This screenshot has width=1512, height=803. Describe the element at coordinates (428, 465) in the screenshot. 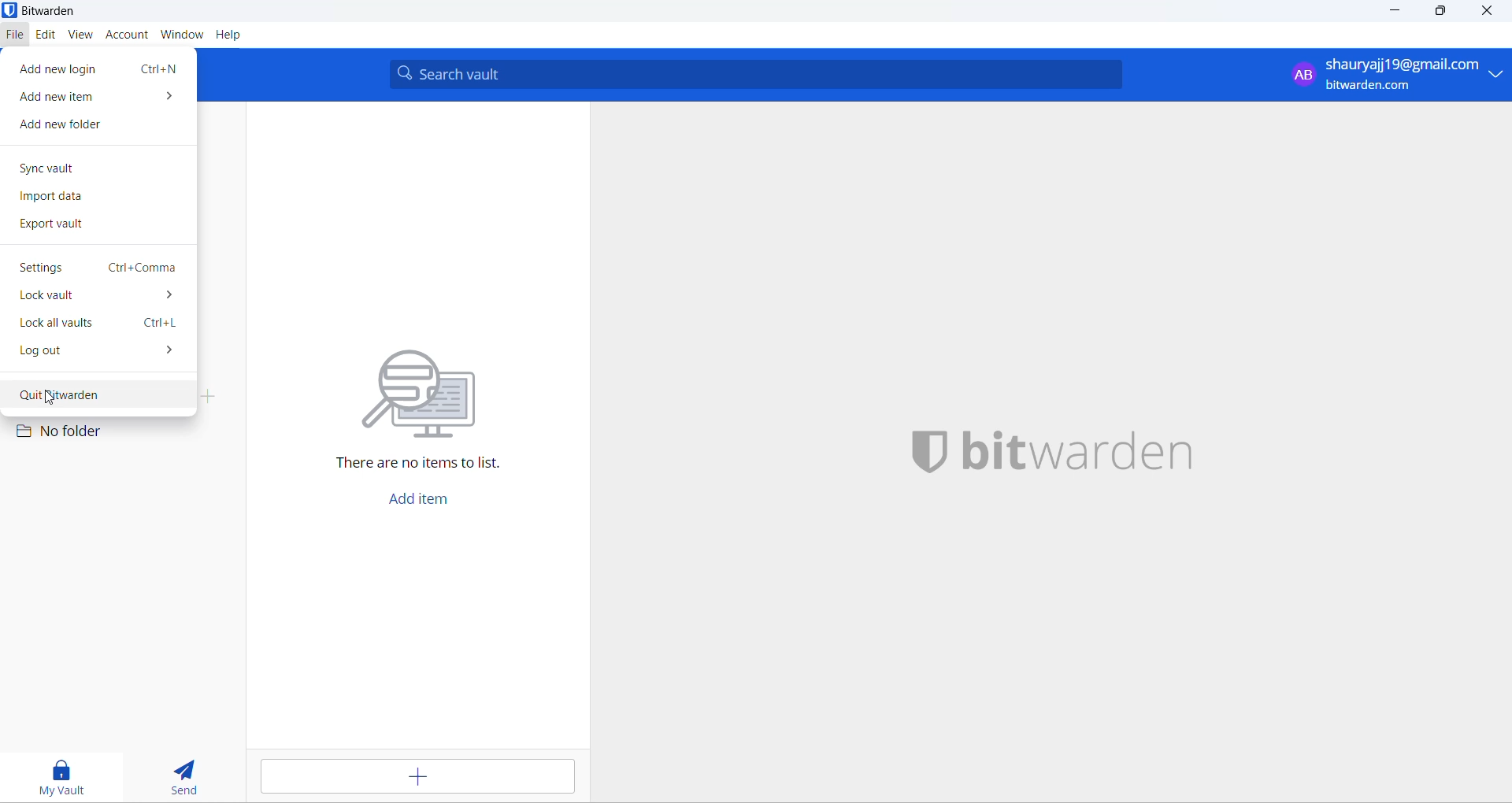

I see `sentence informing there are no items to list ` at that location.